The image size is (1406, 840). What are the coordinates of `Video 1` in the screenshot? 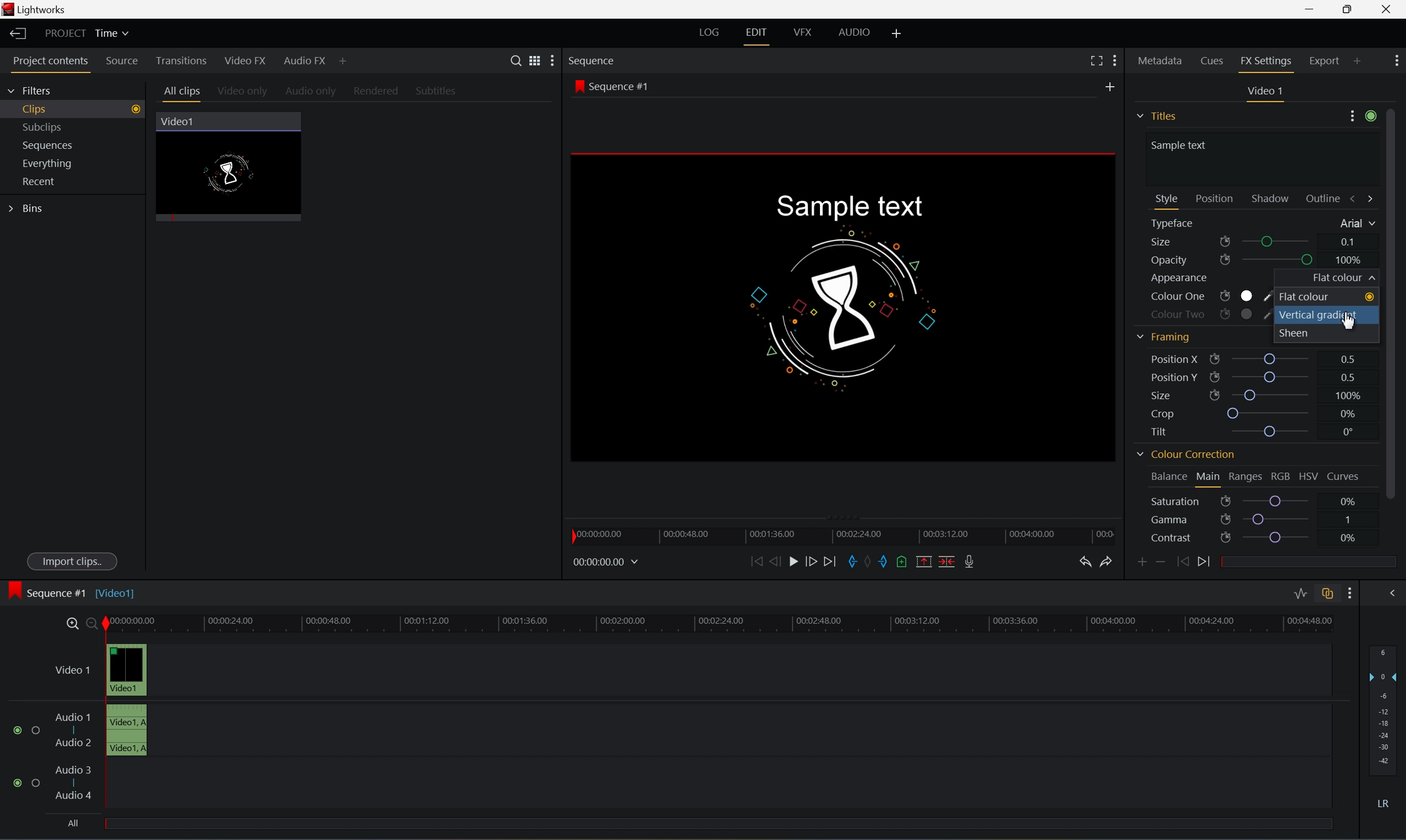 It's located at (75, 671).